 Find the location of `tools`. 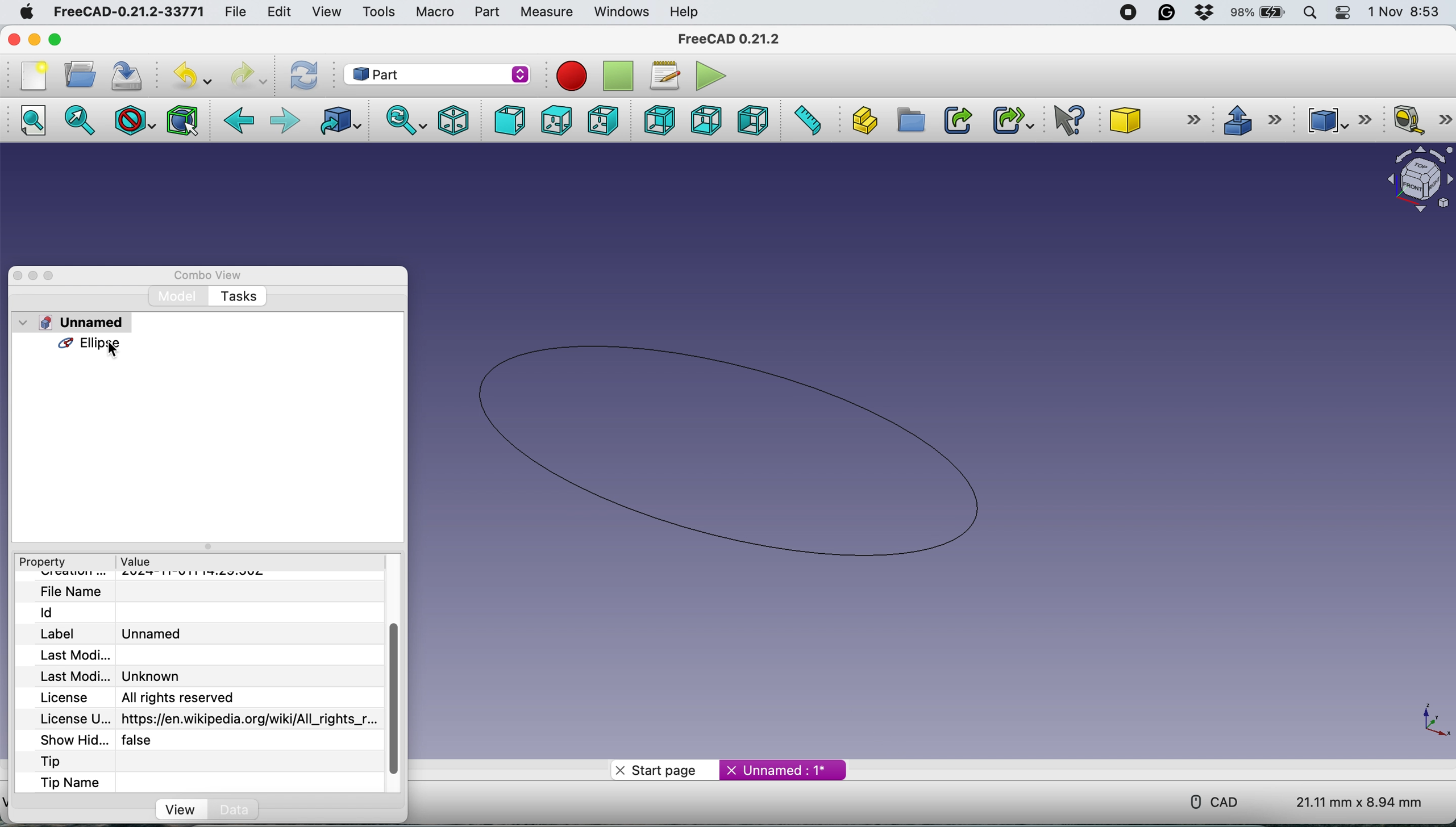

tools is located at coordinates (379, 12).